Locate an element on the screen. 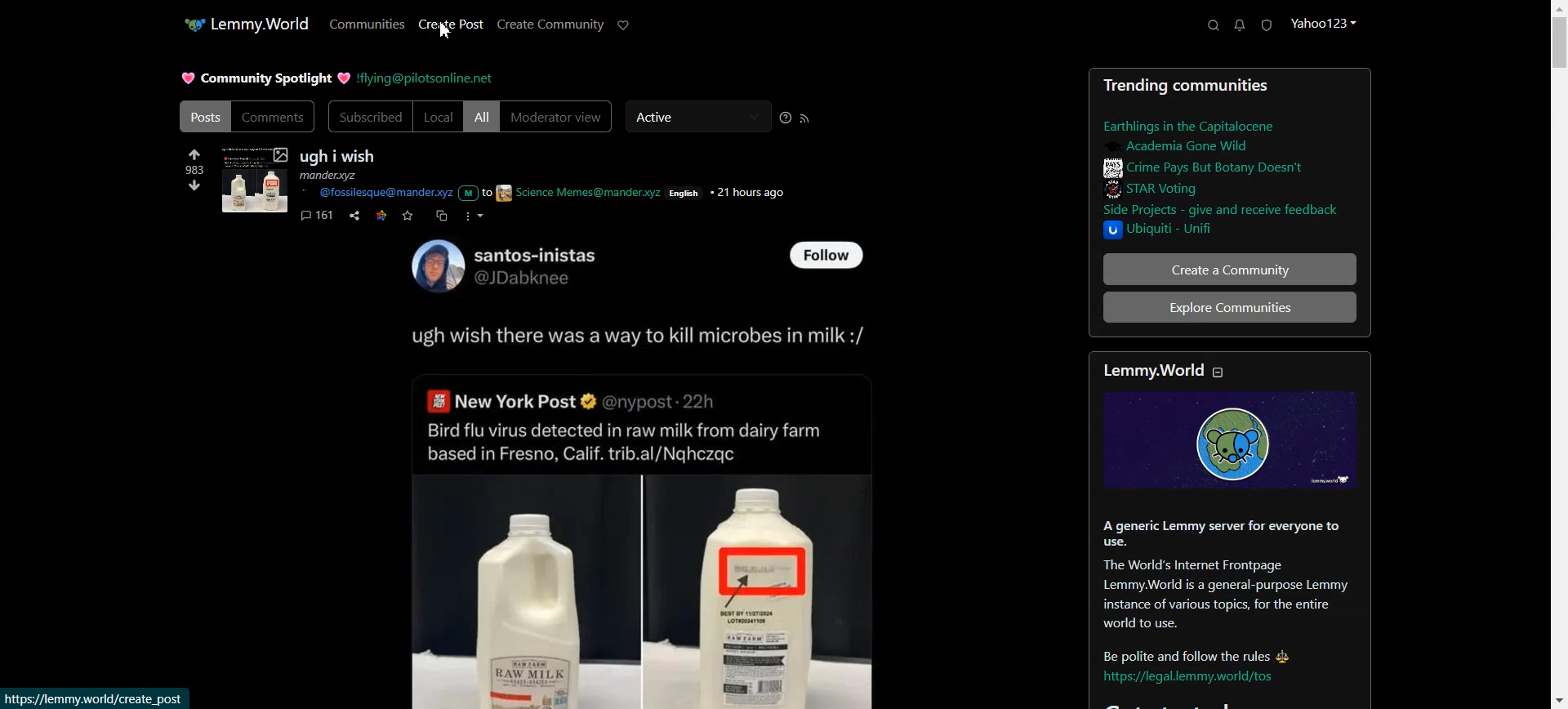  Pics is located at coordinates (252, 179).